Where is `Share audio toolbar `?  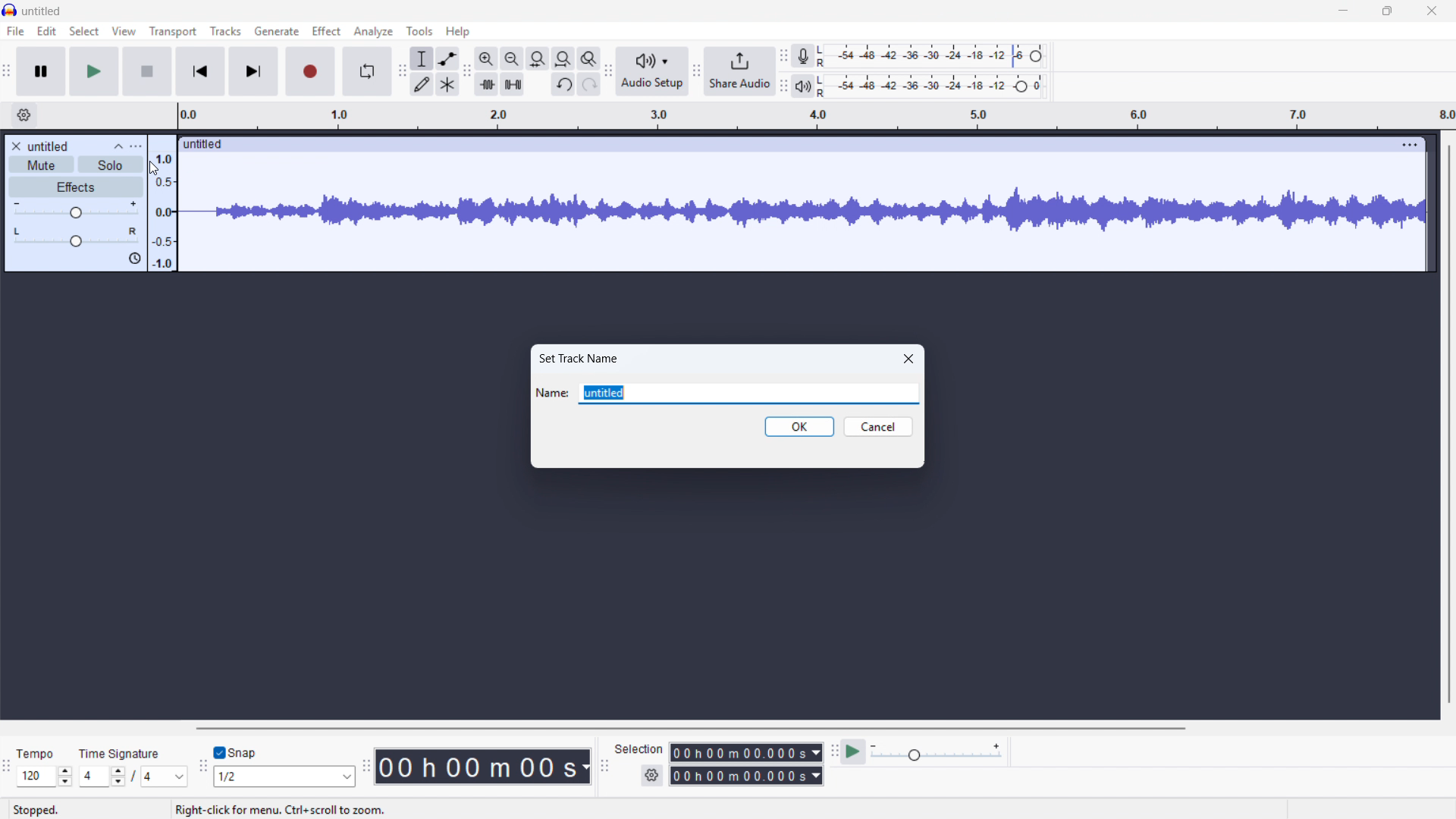 Share audio toolbar  is located at coordinates (695, 73).